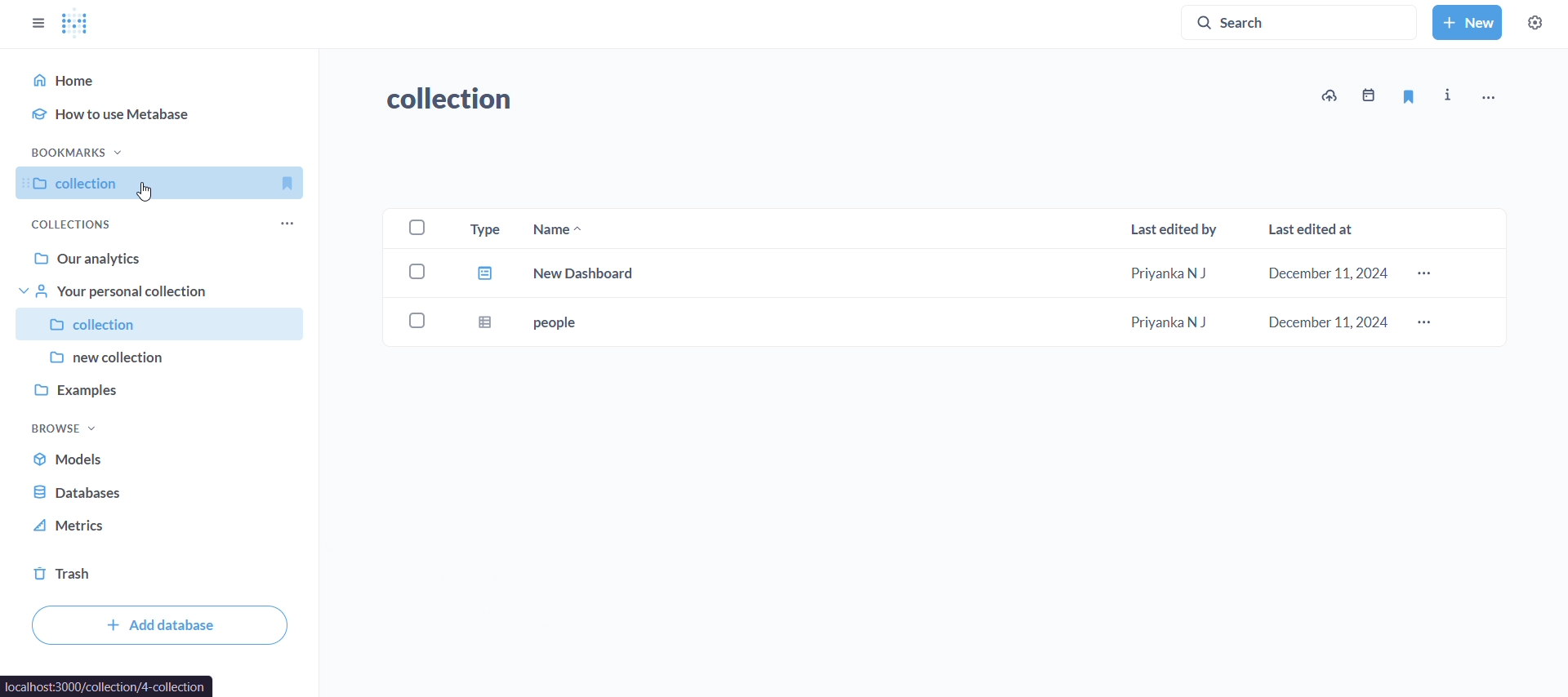  Describe the element at coordinates (1429, 271) in the screenshot. I see `more options` at that location.